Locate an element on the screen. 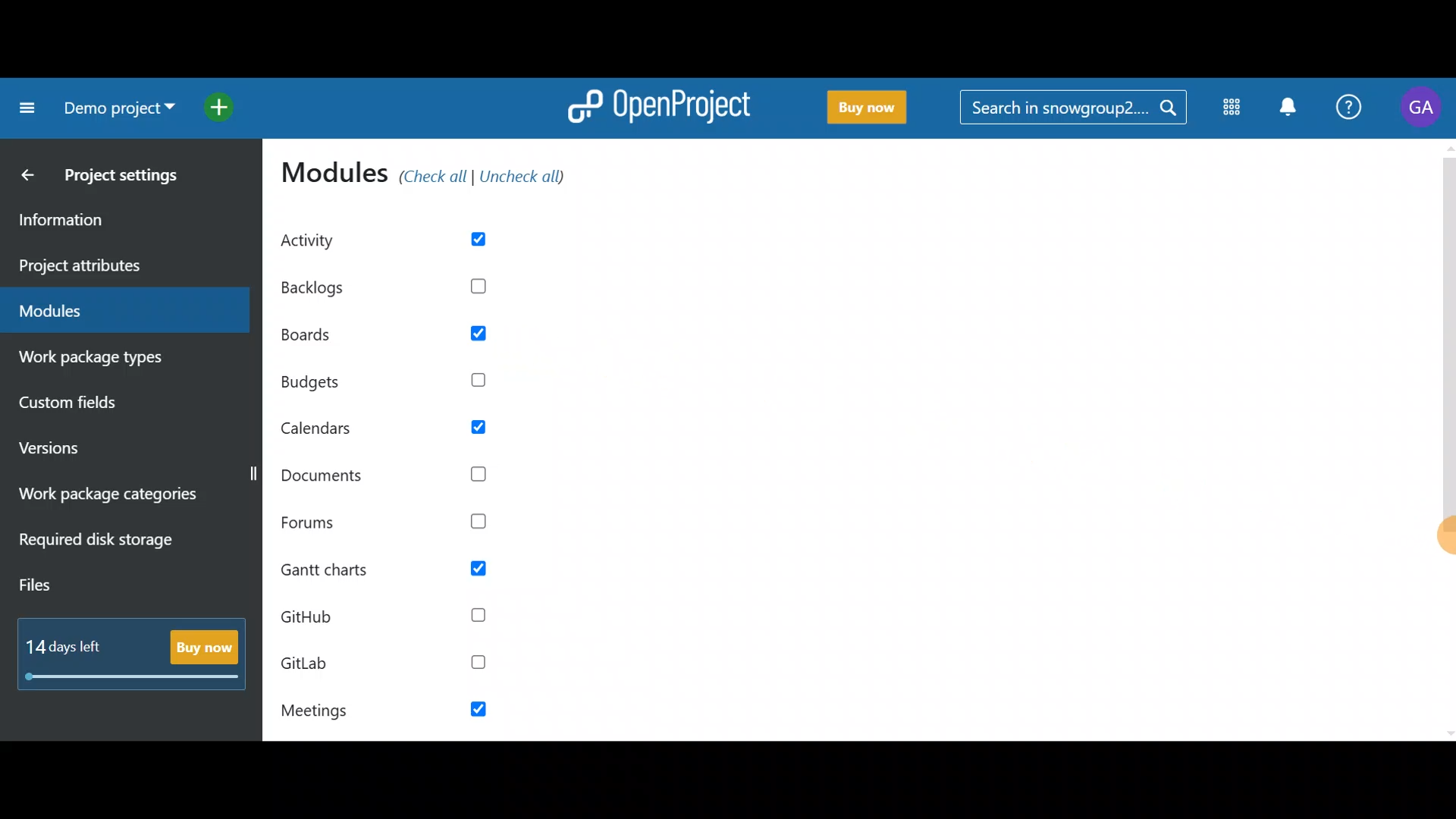  Buy now is located at coordinates (870, 110).